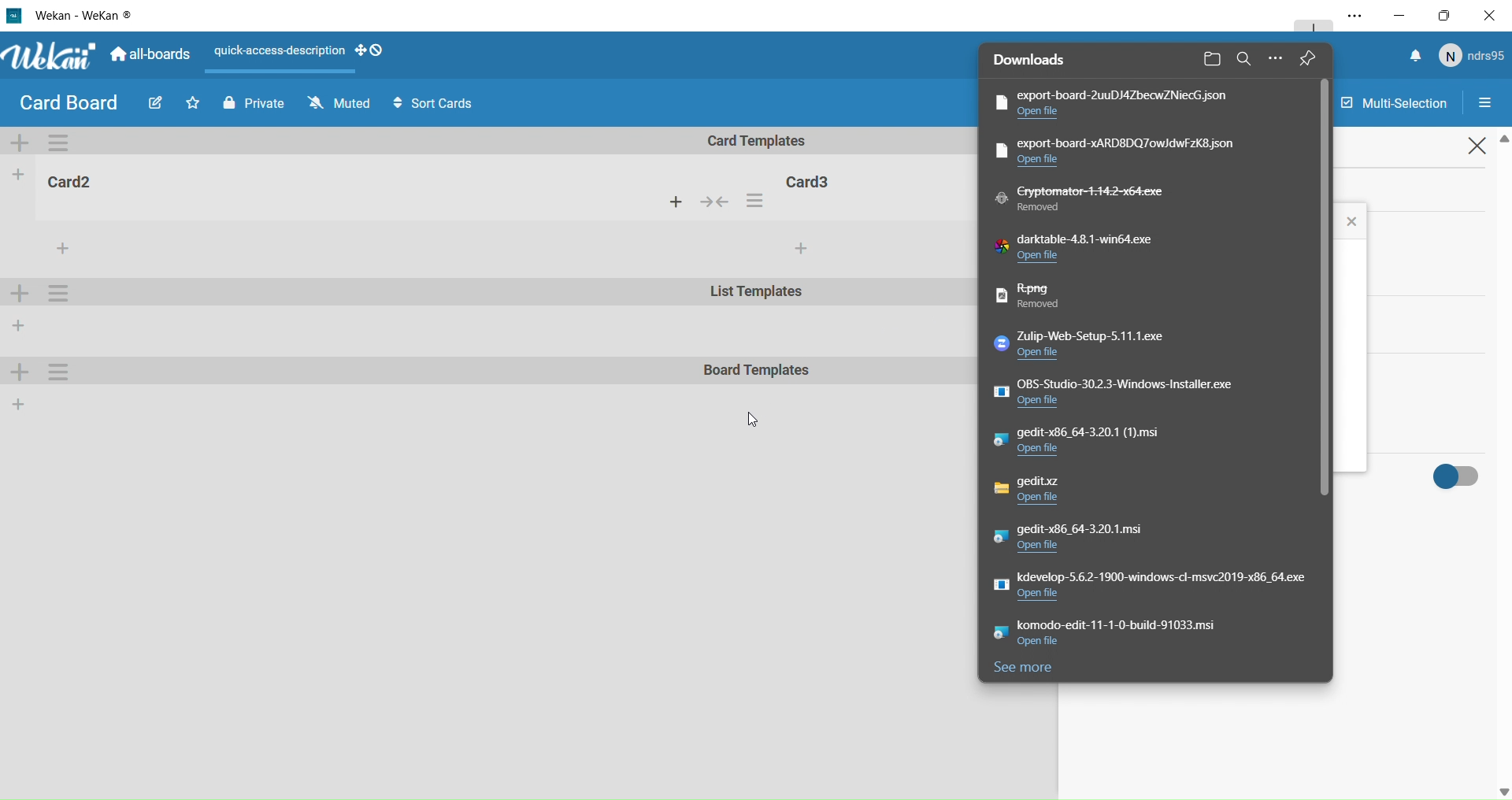 The width and height of the screenshot is (1512, 800). Describe the element at coordinates (1082, 539) in the screenshot. I see `downloaded file` at that location.